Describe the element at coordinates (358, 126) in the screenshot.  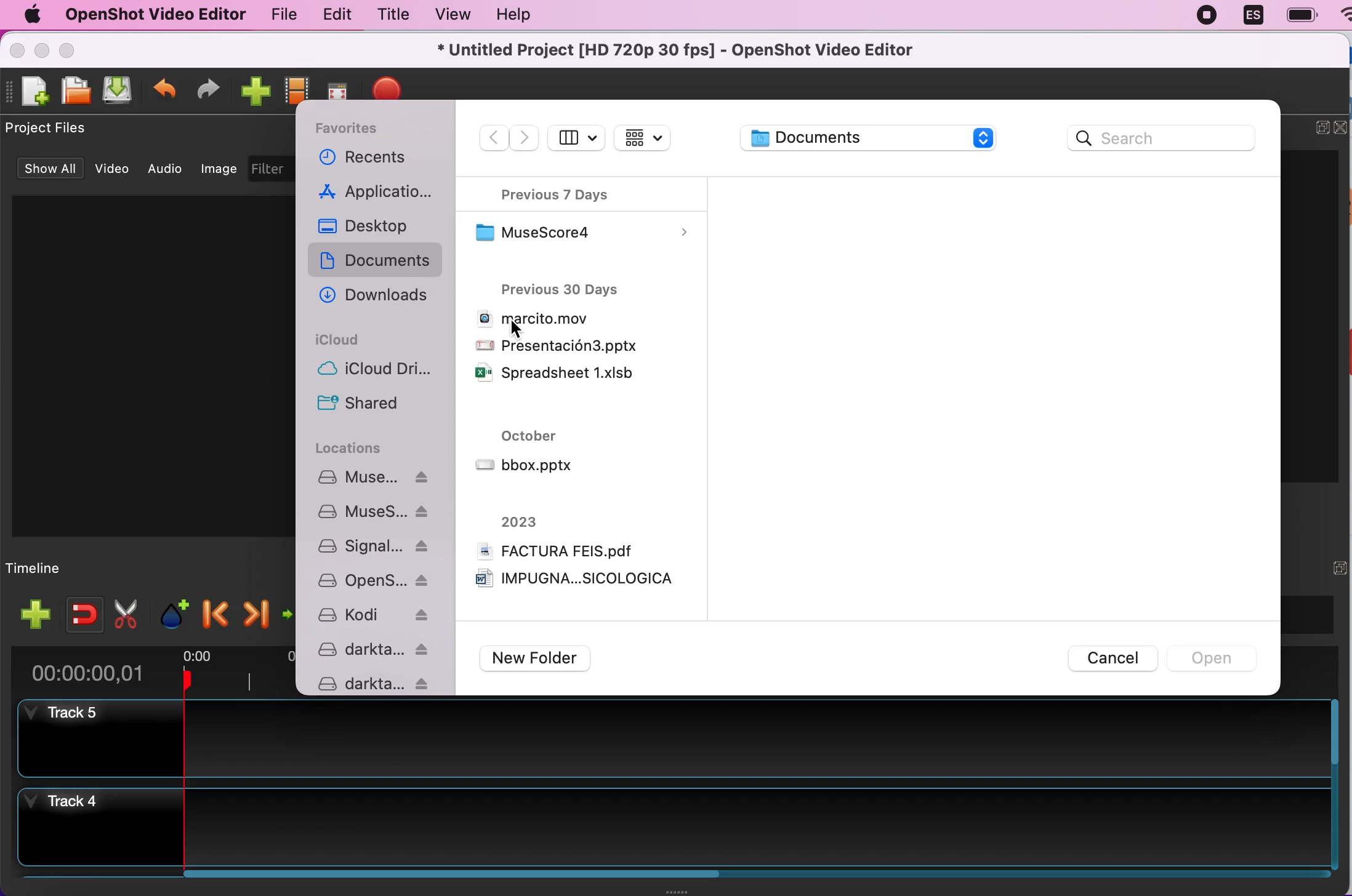
I see `favorites` at that location.